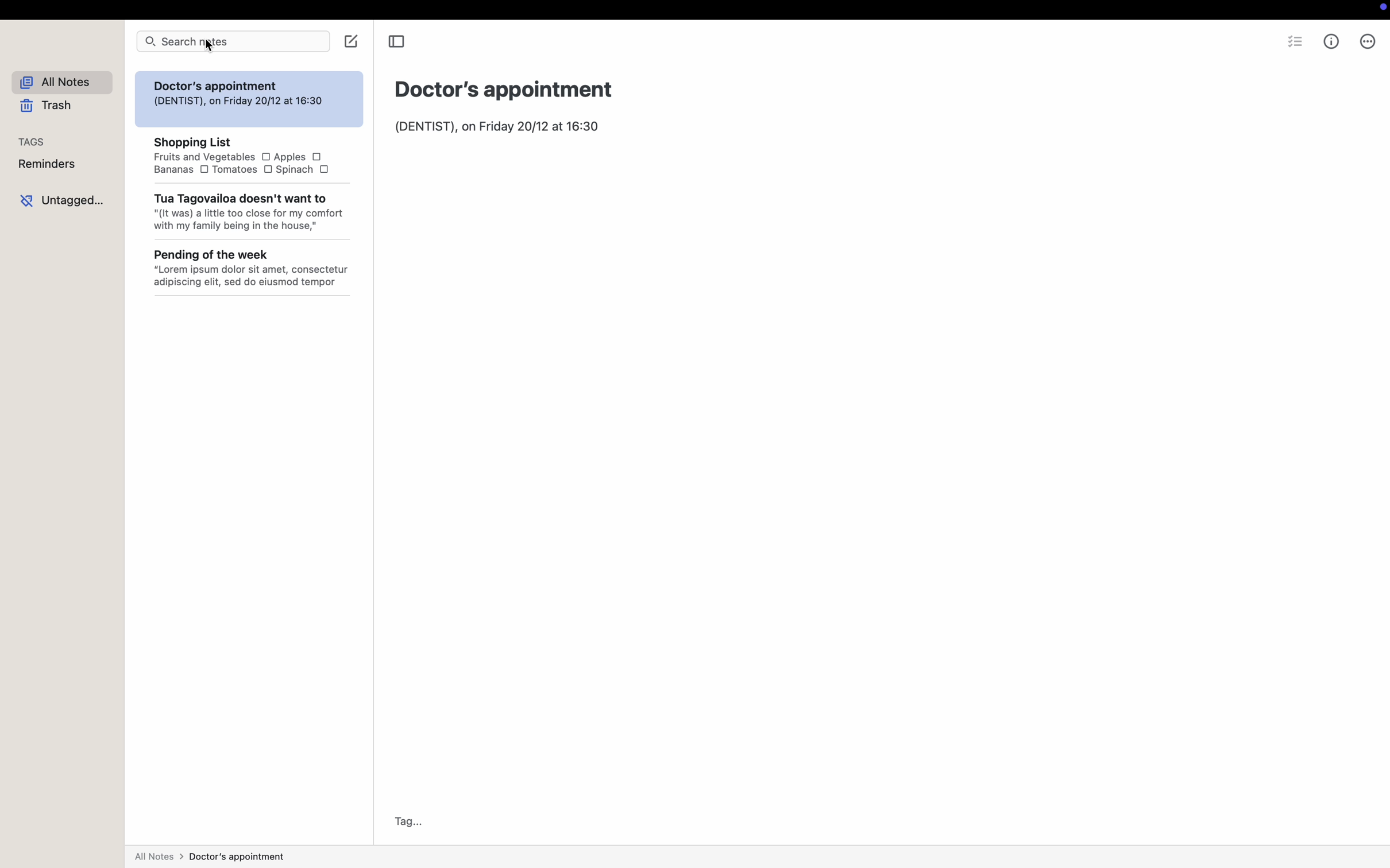  What do you see at coordinates (211, 855) in the screenshot?
I see `all notes > doctor's appointment` at bounding box center [211, 855].